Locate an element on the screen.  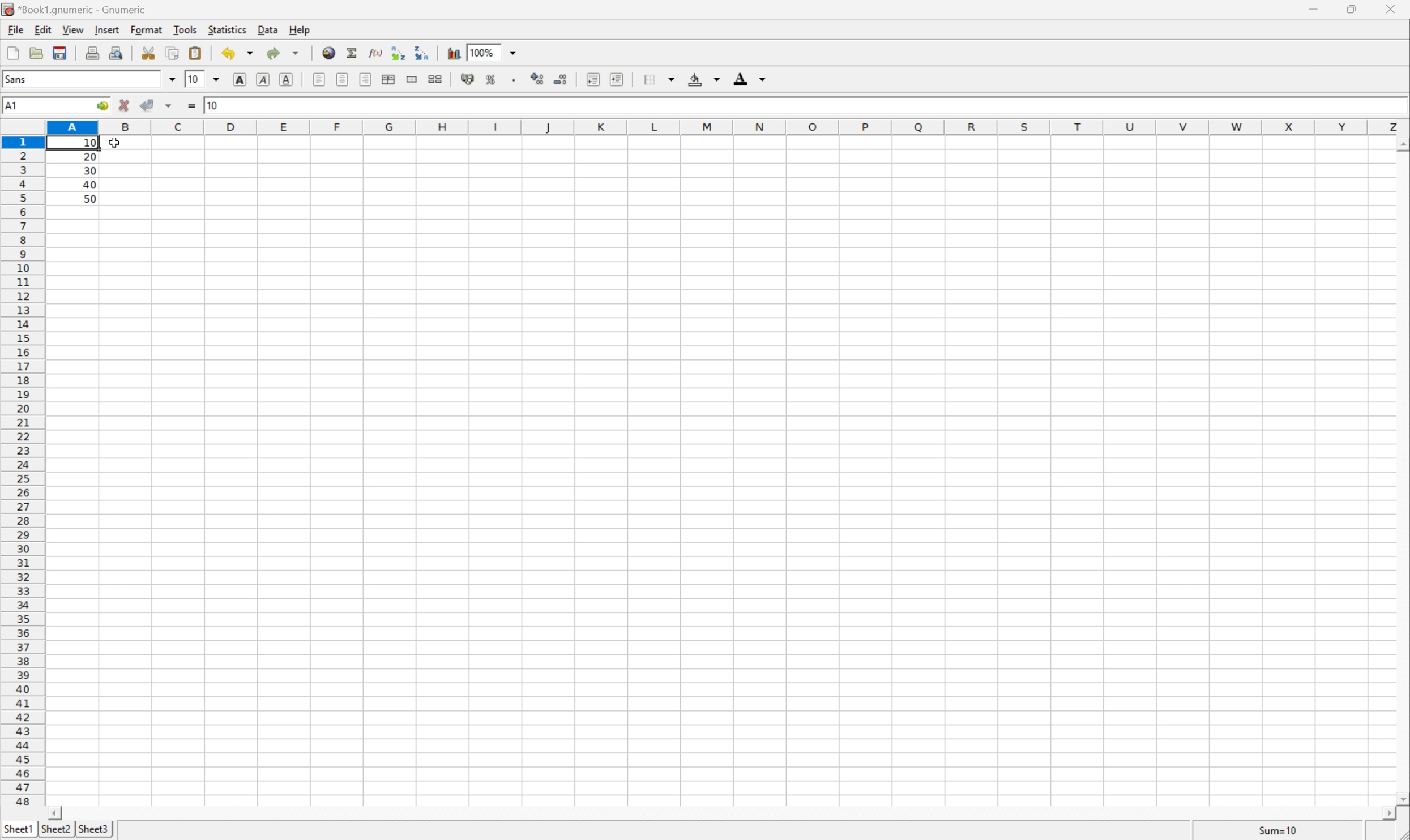
Insert a hyperlink is located at coordinates (330, 53).